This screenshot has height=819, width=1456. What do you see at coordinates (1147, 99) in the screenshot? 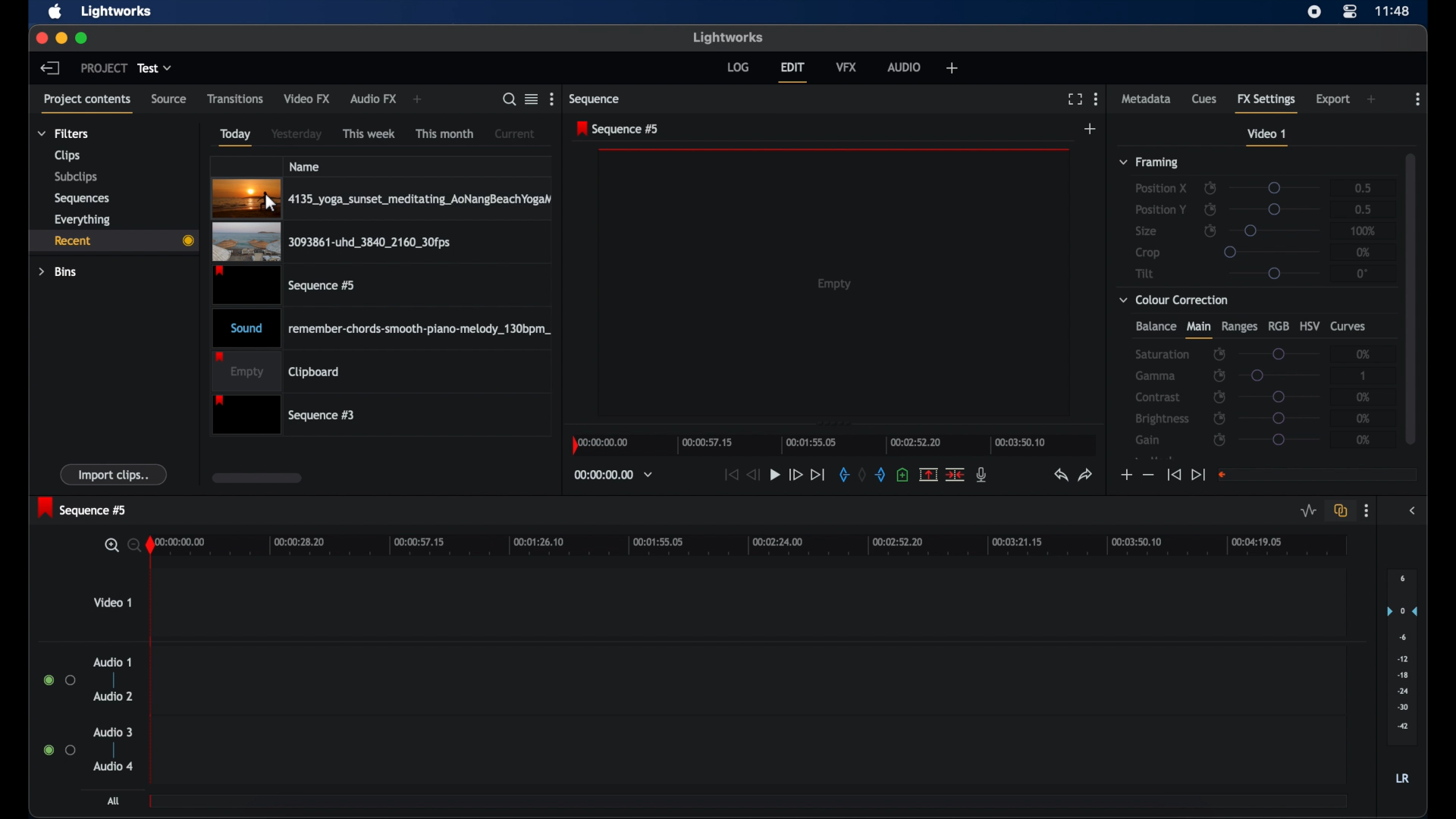
I see `metadata` at bounding box center [1147, 99].